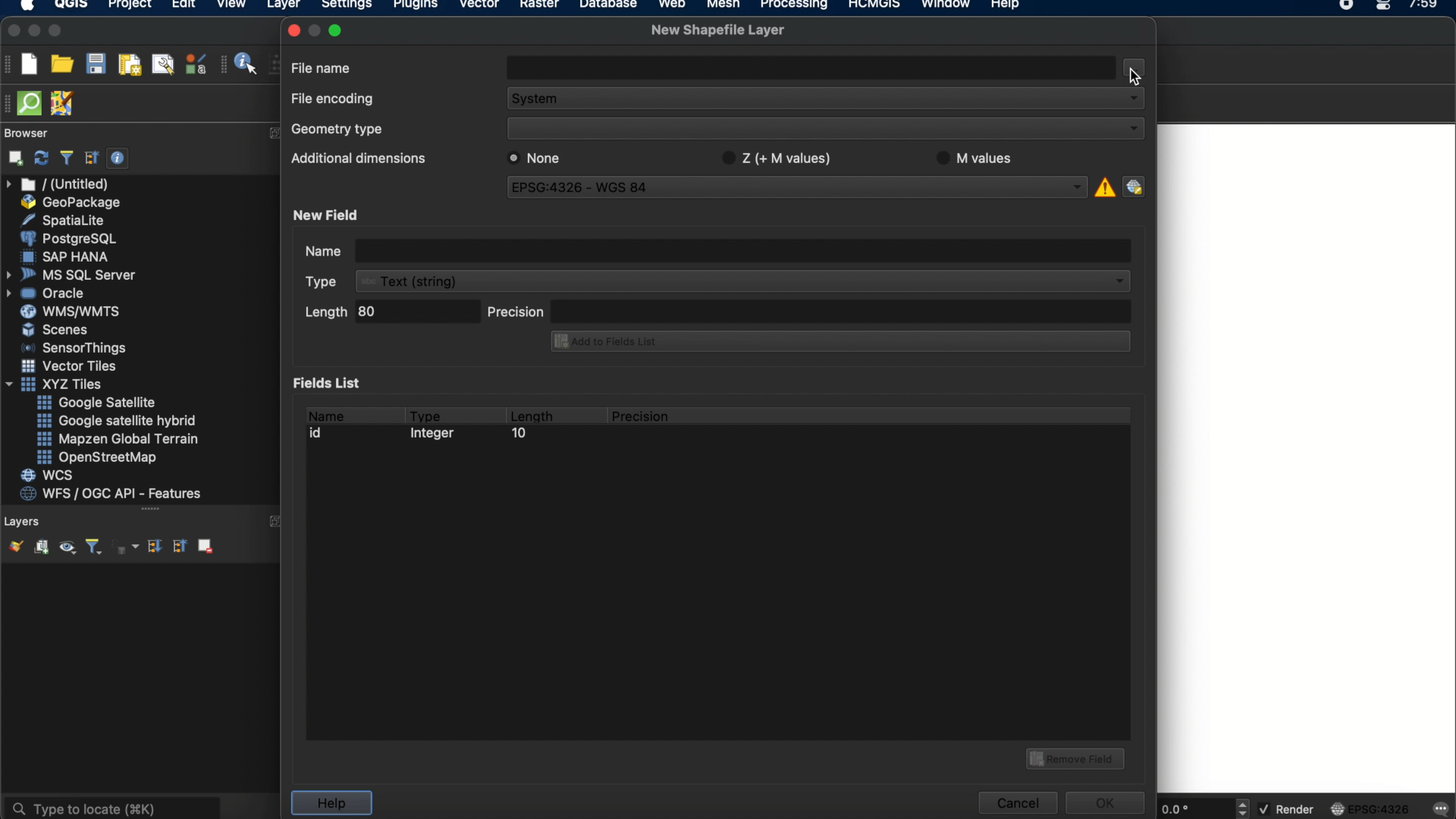 This screenshot has height=819, width=1456. I want to click on options, so click(1140, 65).